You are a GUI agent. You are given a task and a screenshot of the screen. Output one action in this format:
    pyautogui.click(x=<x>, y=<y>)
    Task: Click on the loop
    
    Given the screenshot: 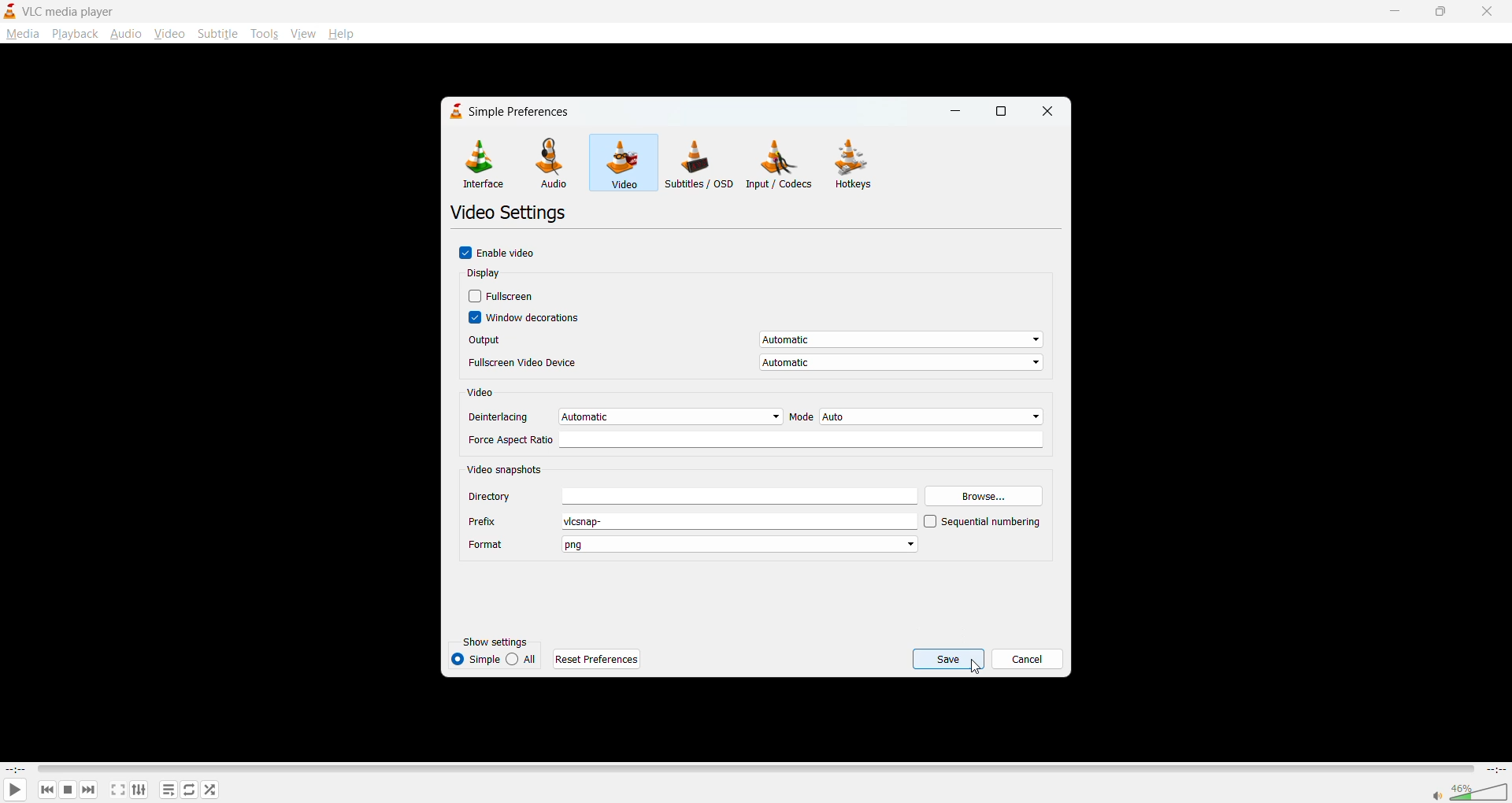 What is the action you would take?
    pyautogui.click(x=190, y=790)
    